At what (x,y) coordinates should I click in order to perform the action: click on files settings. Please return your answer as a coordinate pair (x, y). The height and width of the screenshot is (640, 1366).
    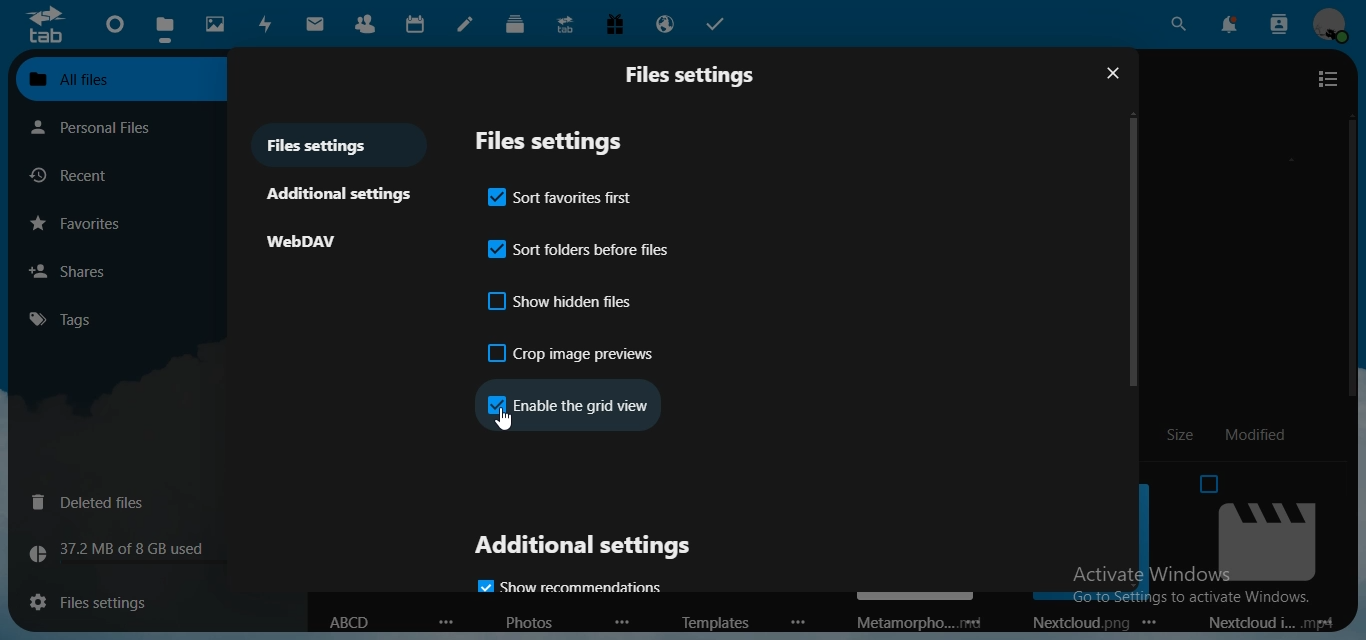
    Looking at the image, I should click on (112, 599).